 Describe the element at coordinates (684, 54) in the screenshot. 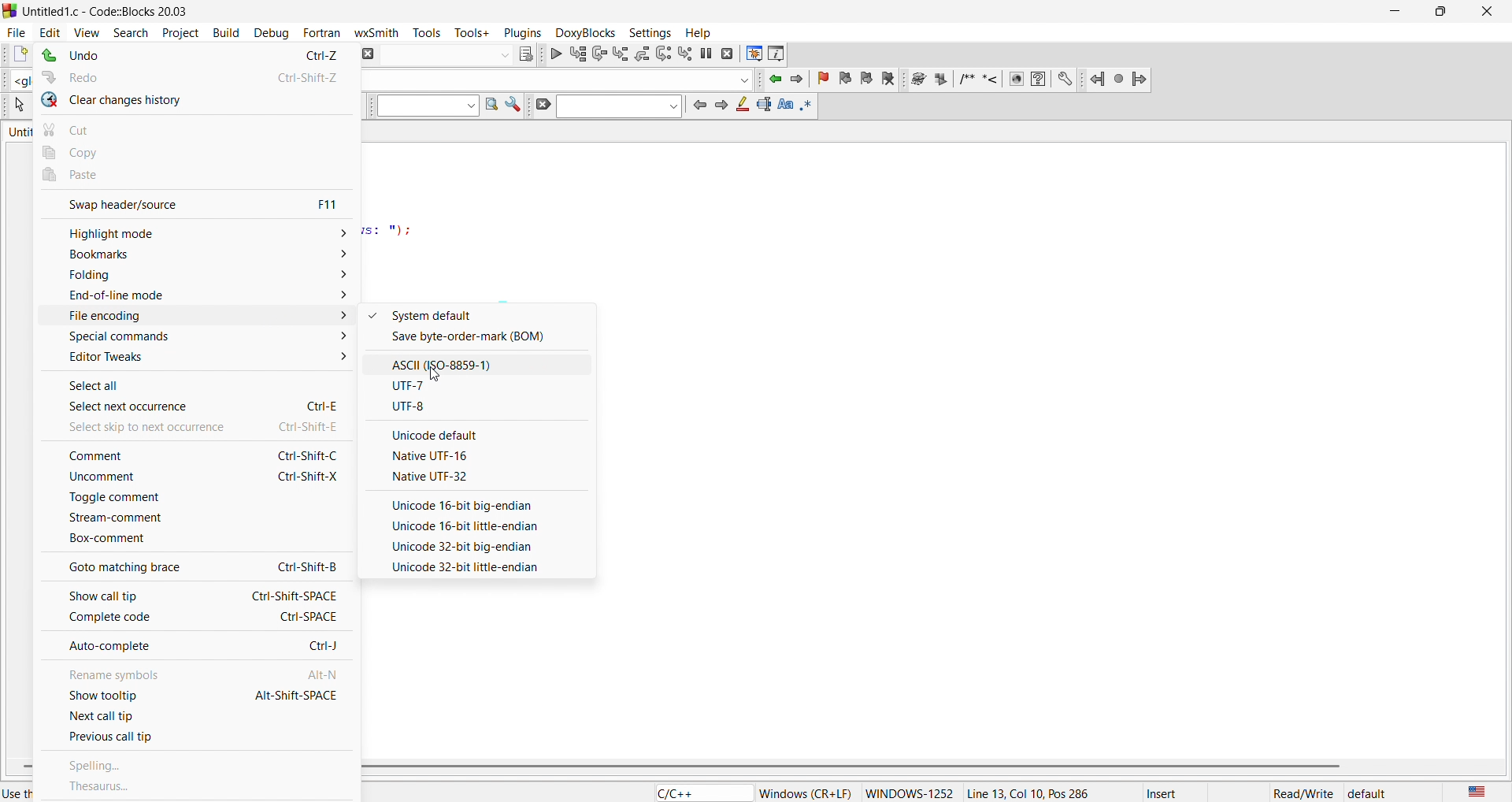

I see `step into instruction` at that location.